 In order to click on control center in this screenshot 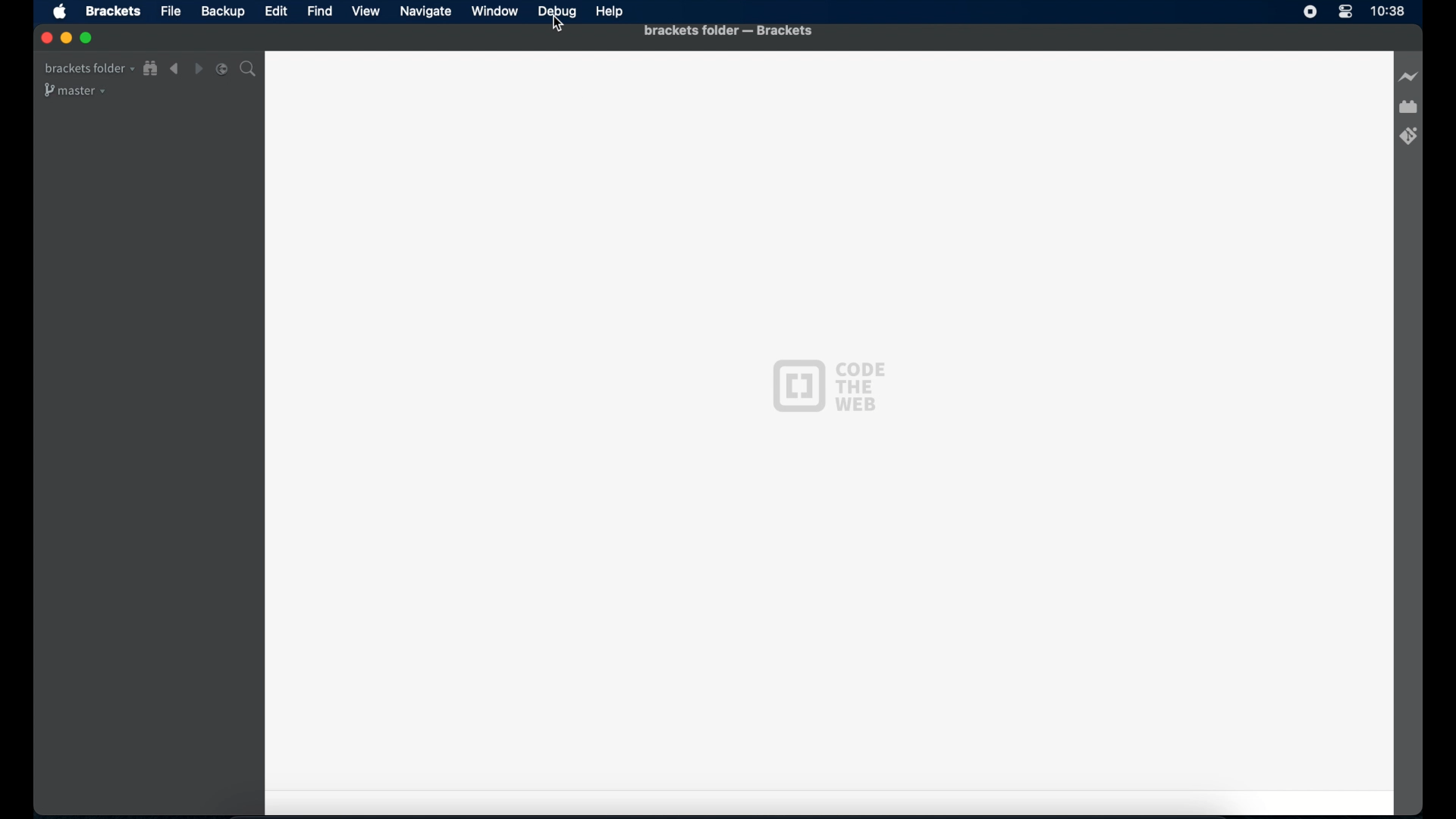, I will do `click(1345, 11)`.